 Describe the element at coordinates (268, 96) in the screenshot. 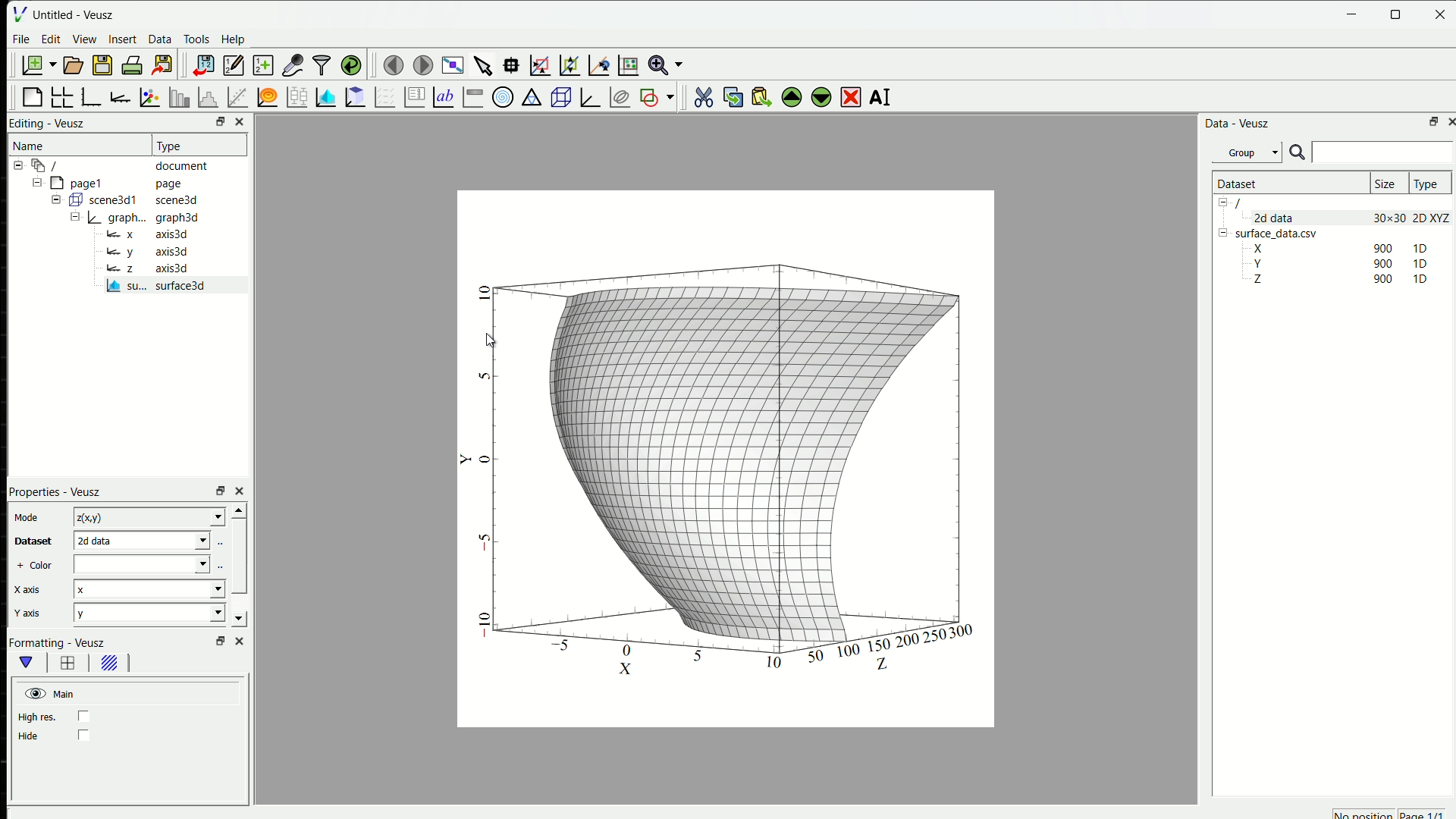

I see `plot a function ` at that location.